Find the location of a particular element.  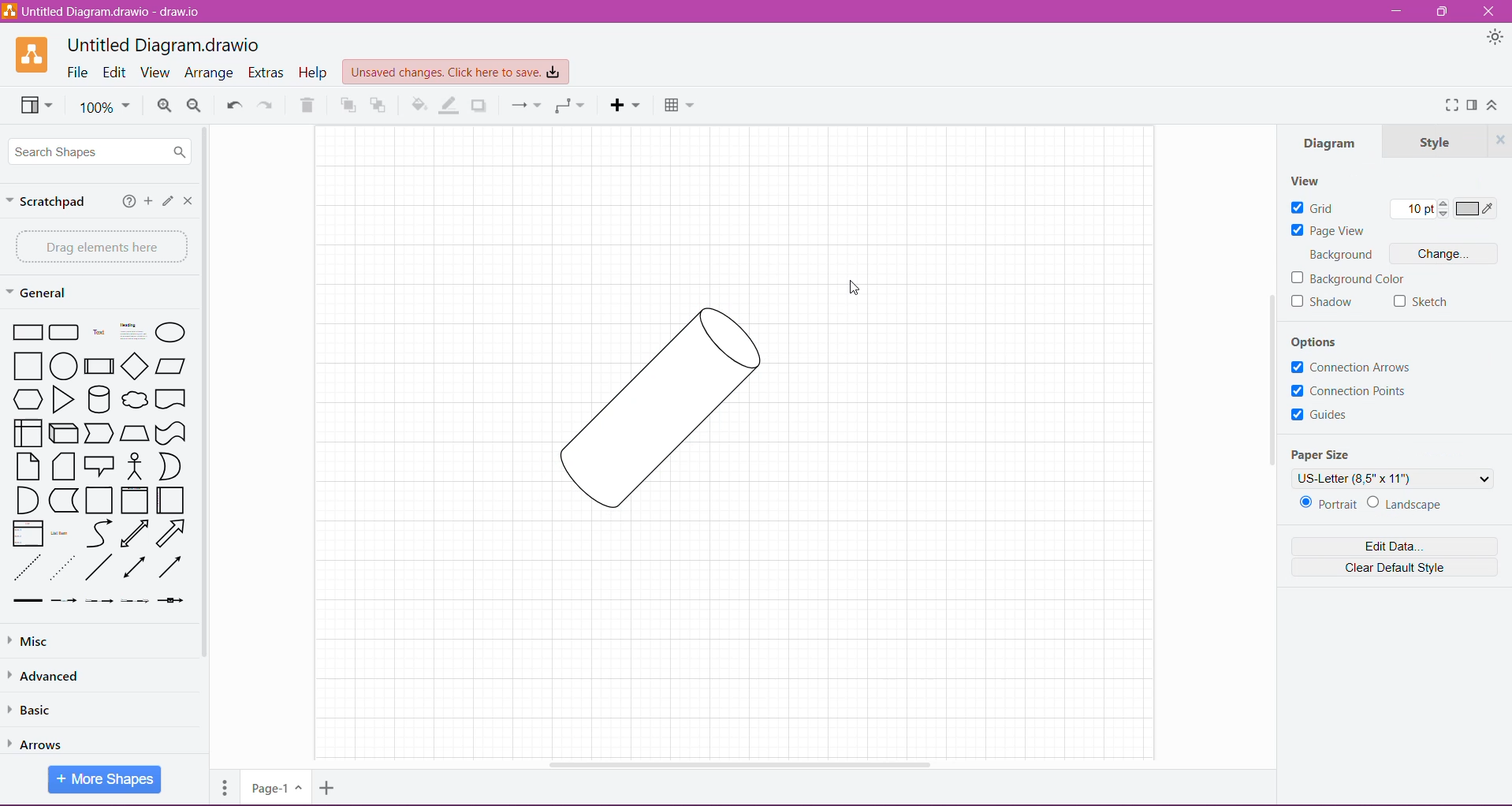

Connection Arrows is located at coordinates (1350, 368).